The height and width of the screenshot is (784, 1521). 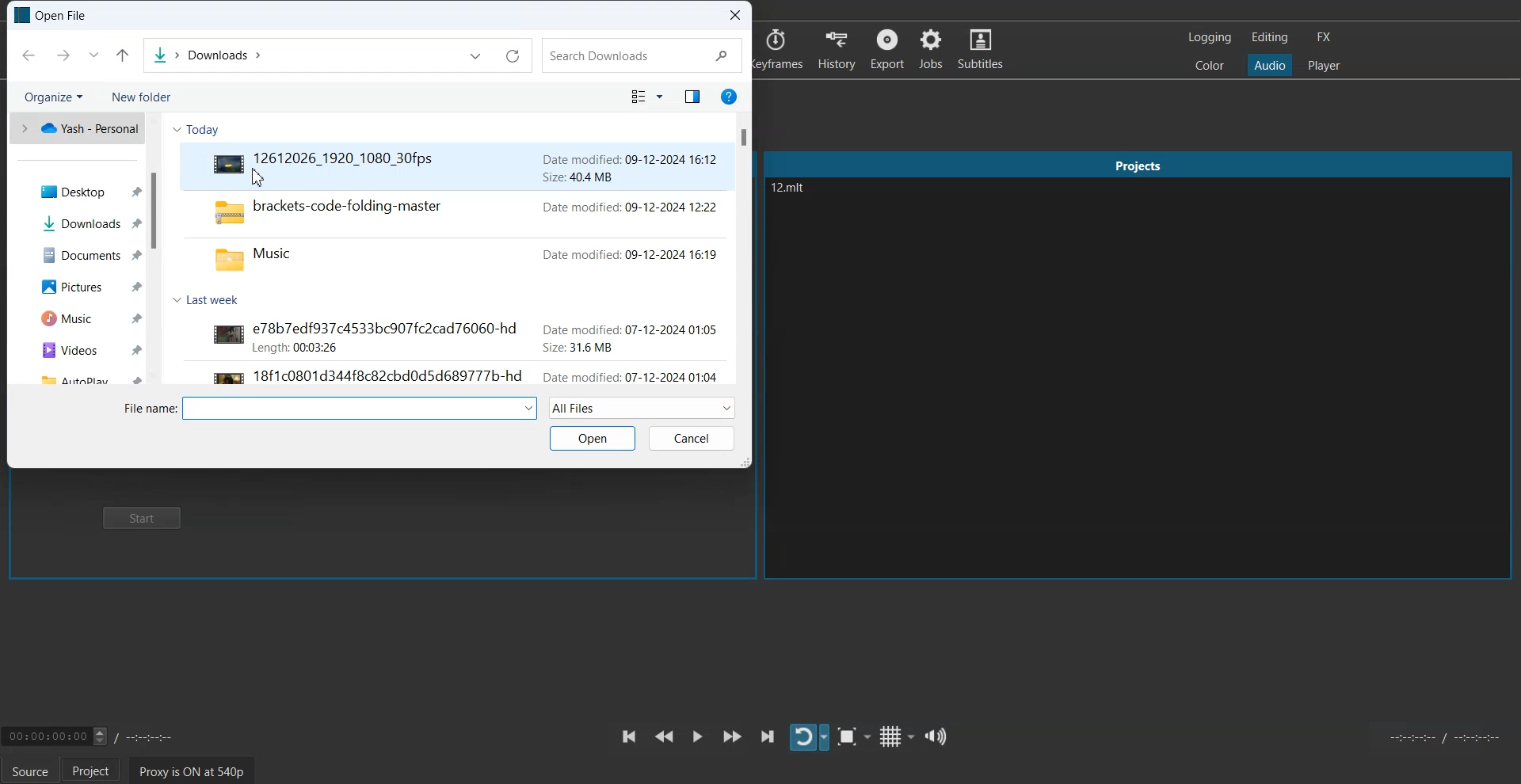 I want to click on Toggle player looping, so click(x=810, y=737).